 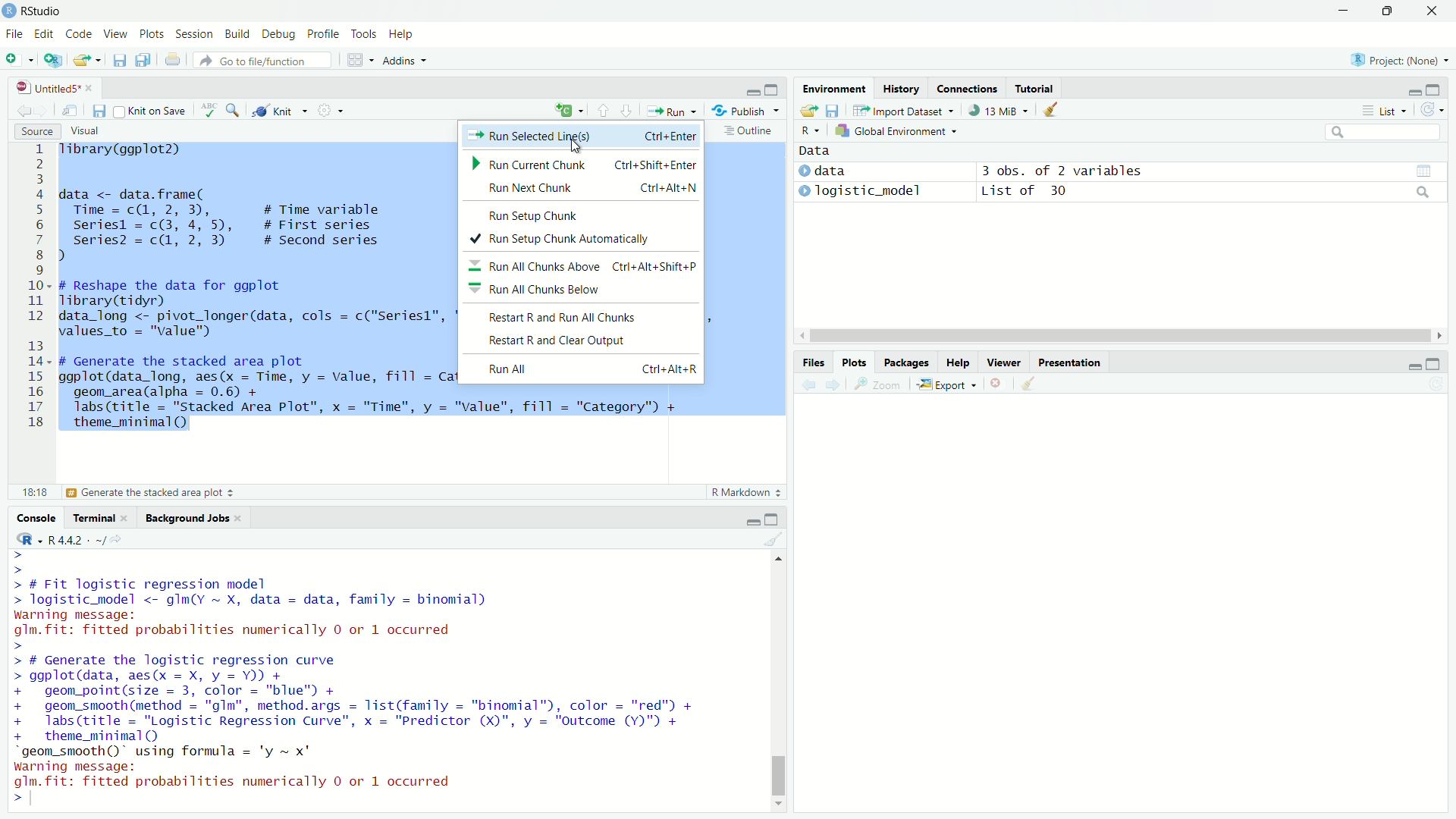 What do you see at coordinates (743, 87) in the screenshot?
I see `minimise` at bounding box center [743, 87].